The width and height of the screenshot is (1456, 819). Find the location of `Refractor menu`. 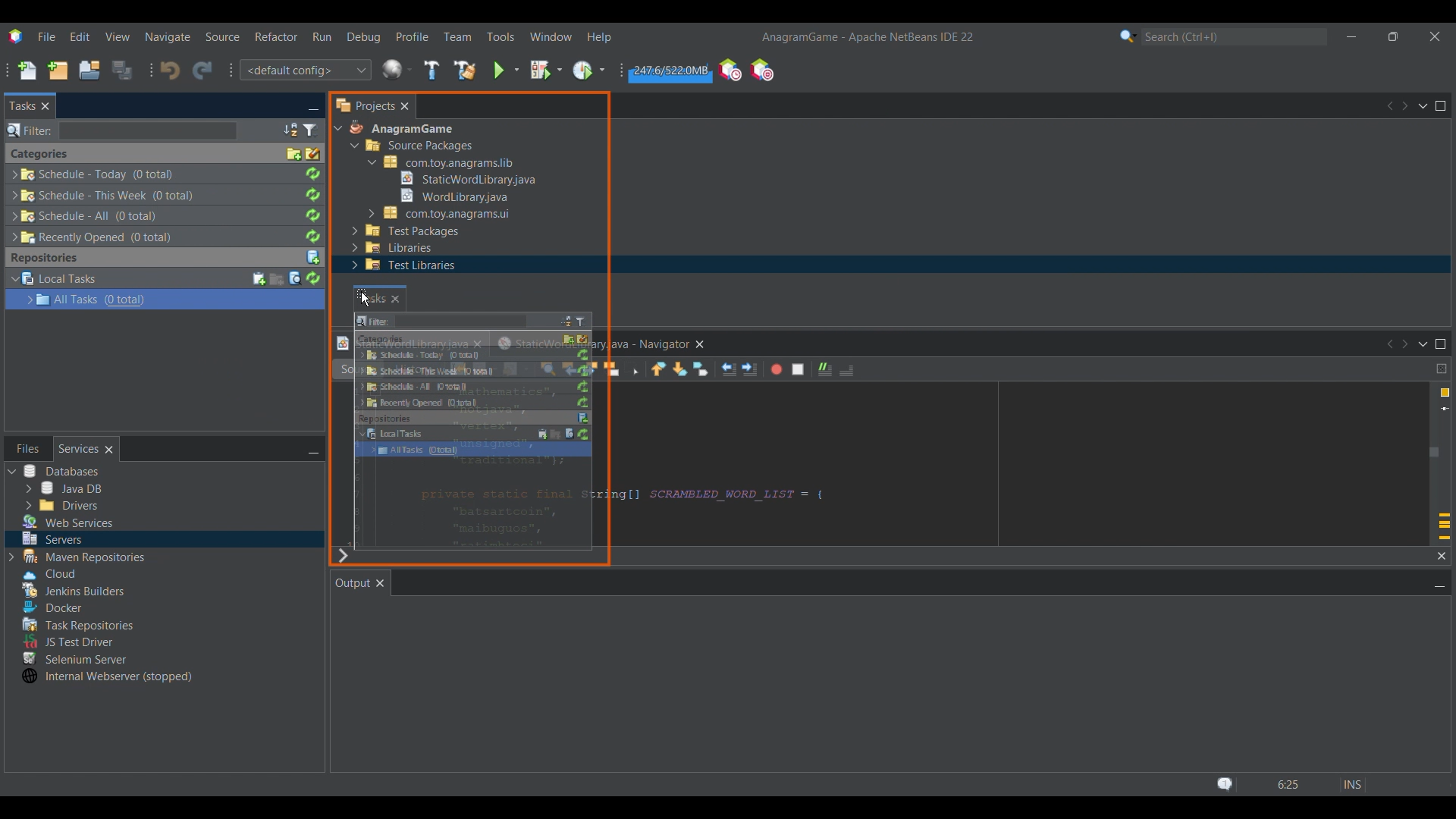

Refractor menu is located at coordinates (277, 36).